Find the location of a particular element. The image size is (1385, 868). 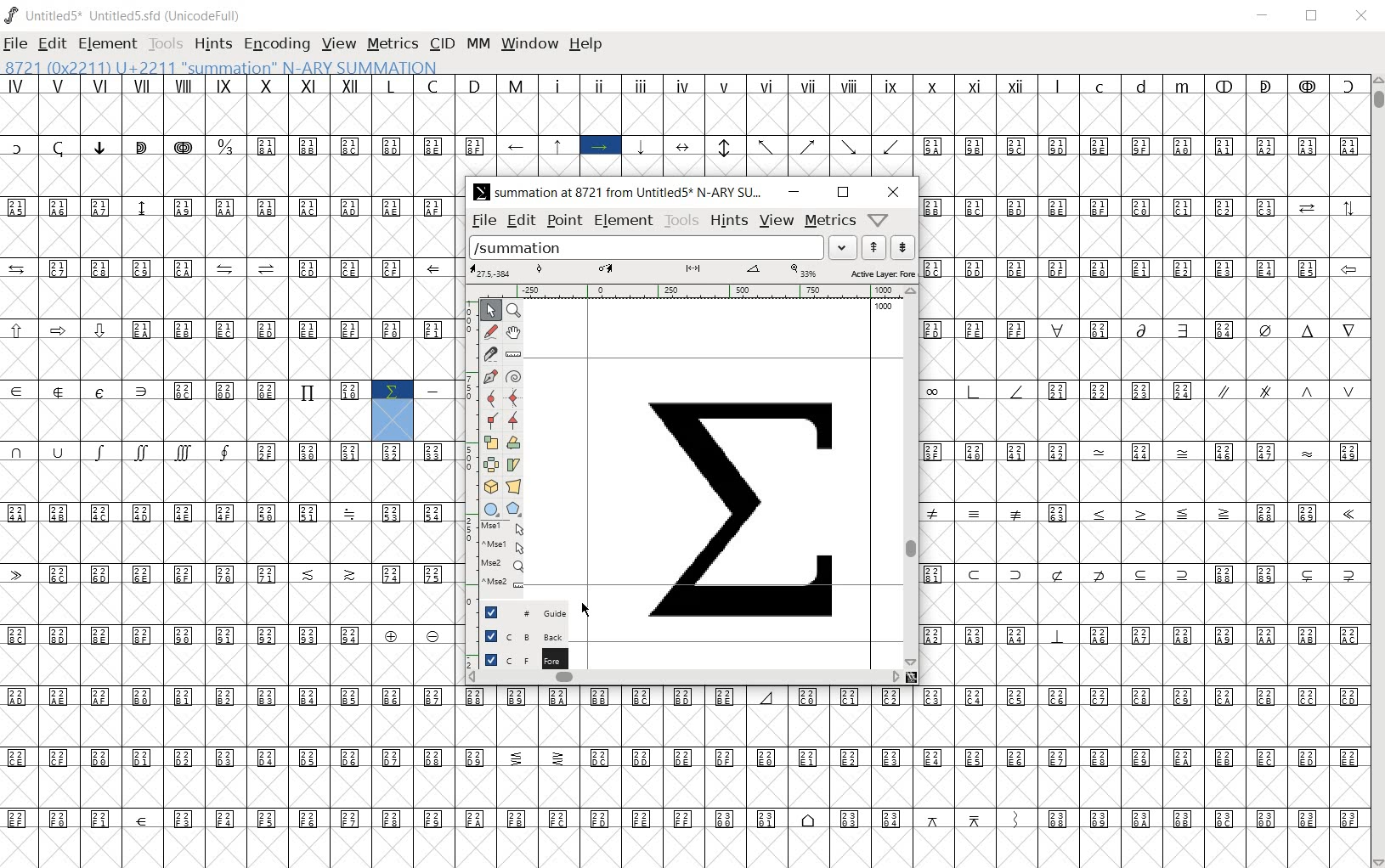

metrics is located at coordinates (828, 221).